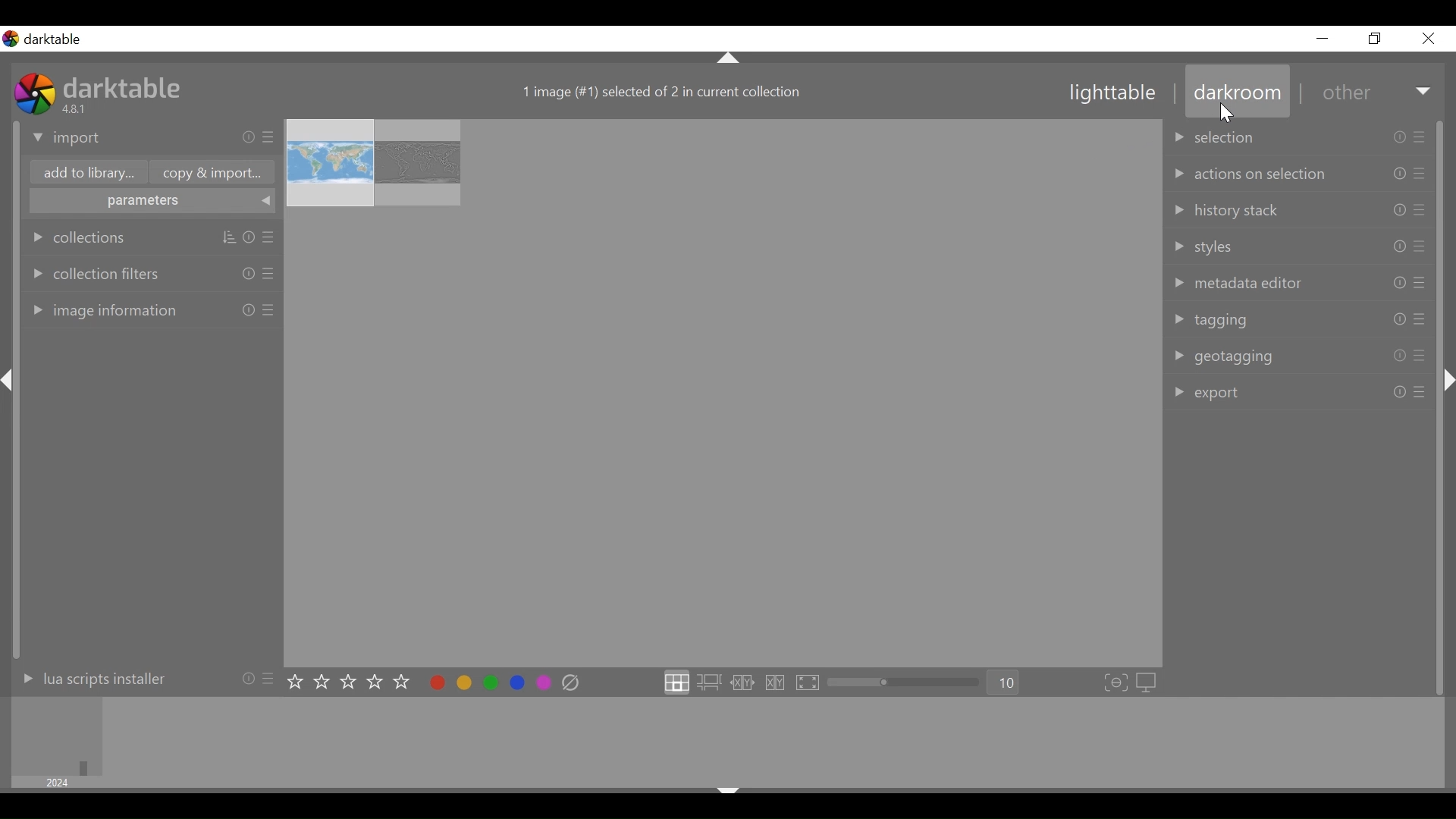  Describe the element at coordinates (808, 683) in the screenshot. I see `click to enter full preview layout` at that location.